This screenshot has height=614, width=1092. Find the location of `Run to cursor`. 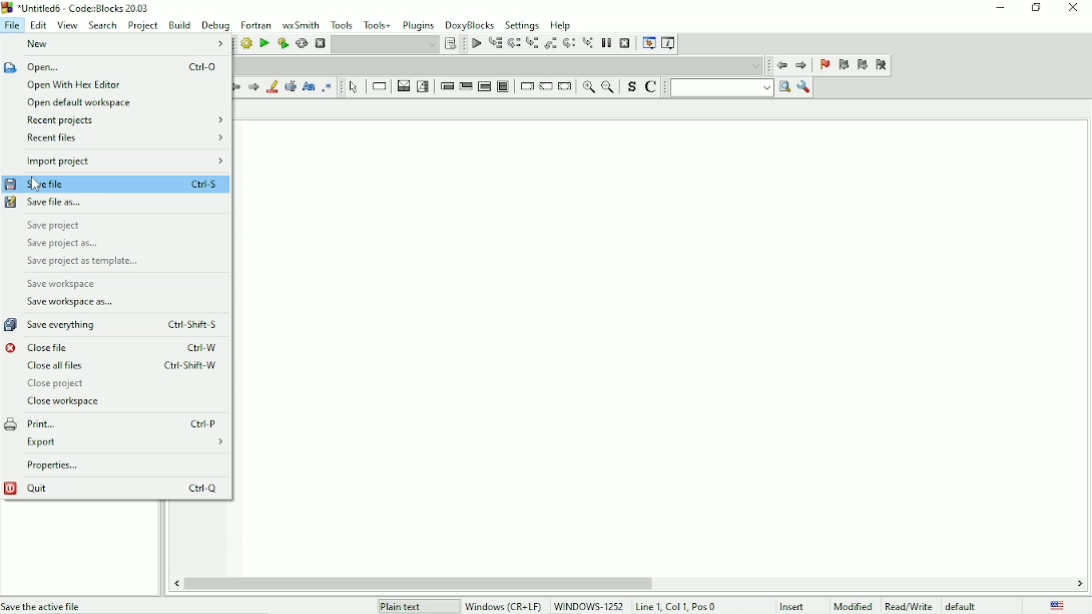

Run to cursor is located at coordinates (495, 44).